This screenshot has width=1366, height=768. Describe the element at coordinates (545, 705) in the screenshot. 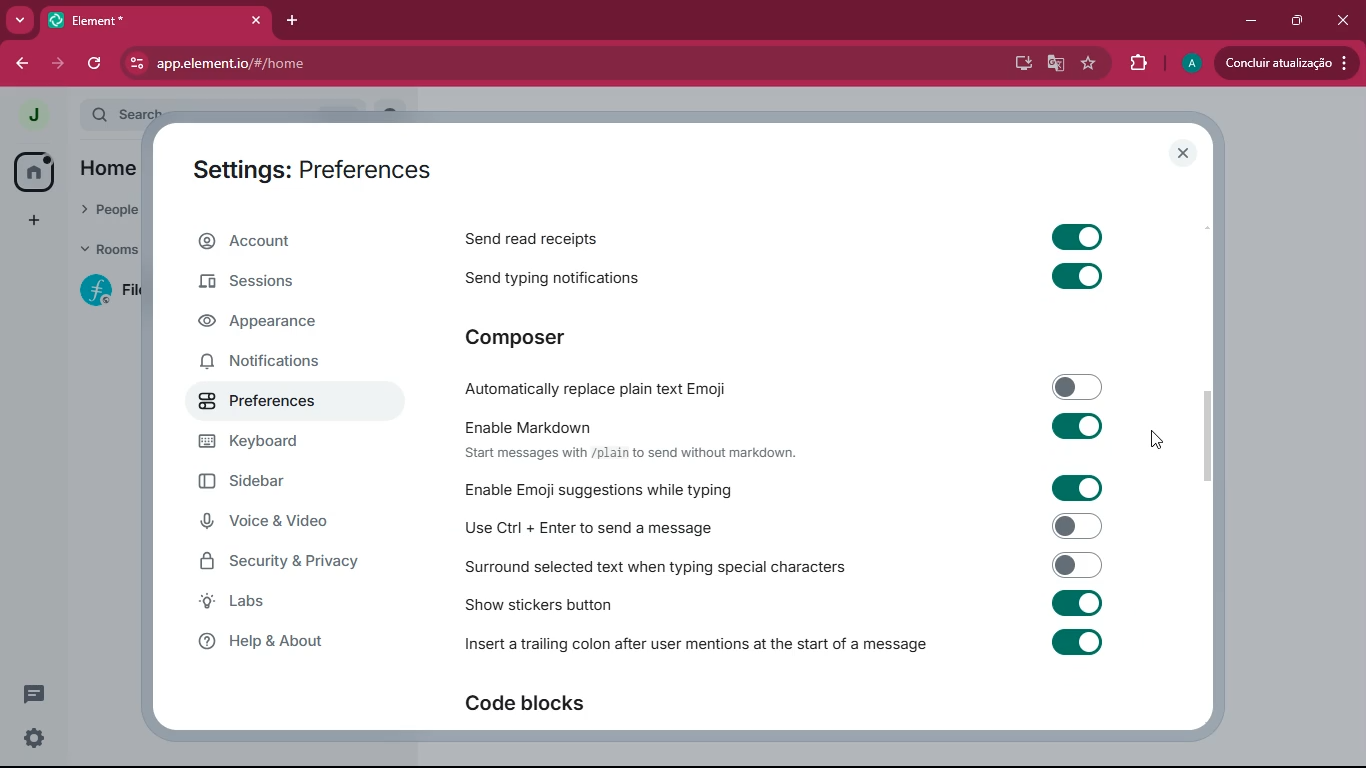

I see `code blocks` at that location.